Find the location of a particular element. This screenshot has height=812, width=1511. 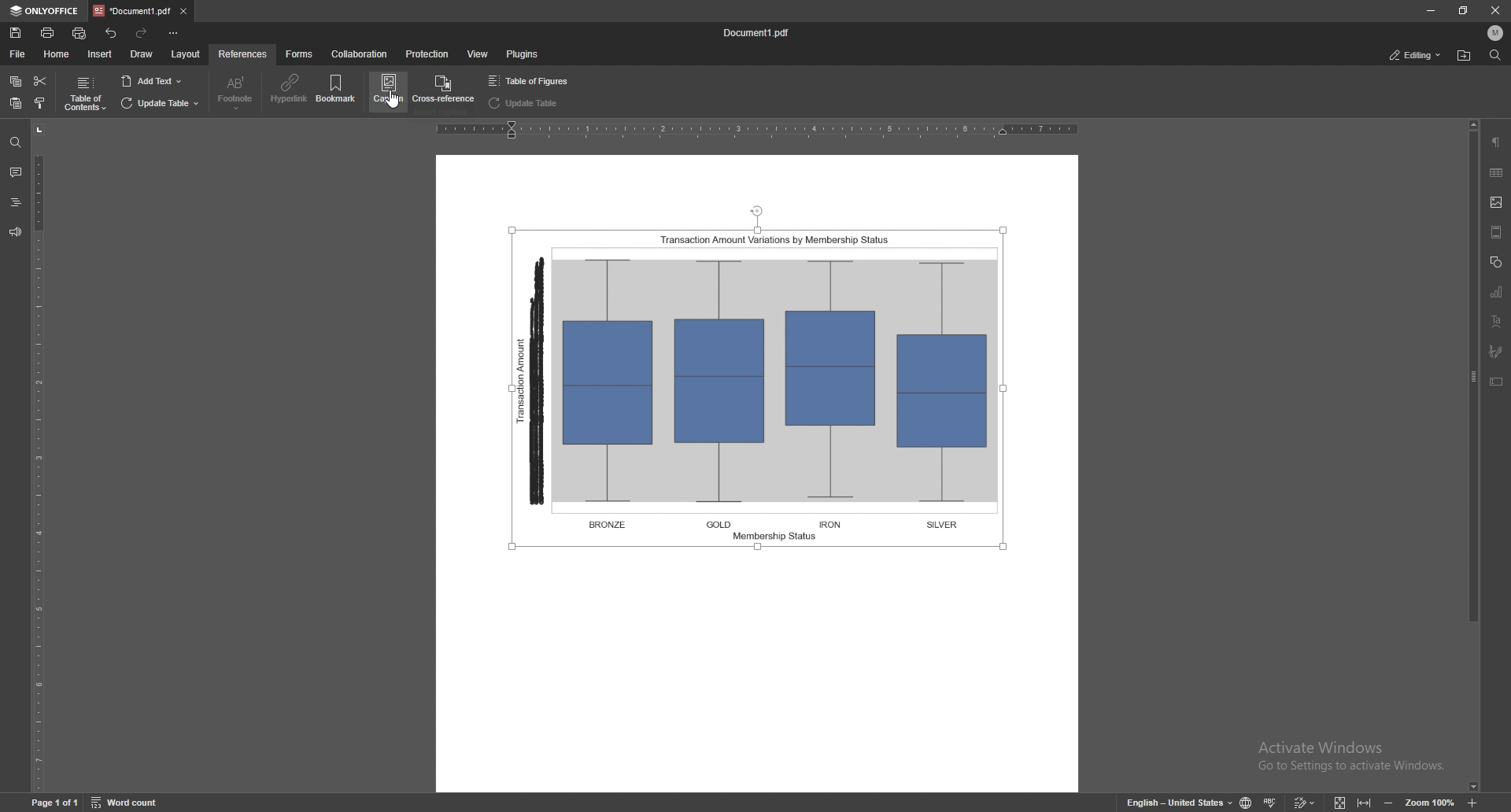

view is located at coordinates (478, 54).